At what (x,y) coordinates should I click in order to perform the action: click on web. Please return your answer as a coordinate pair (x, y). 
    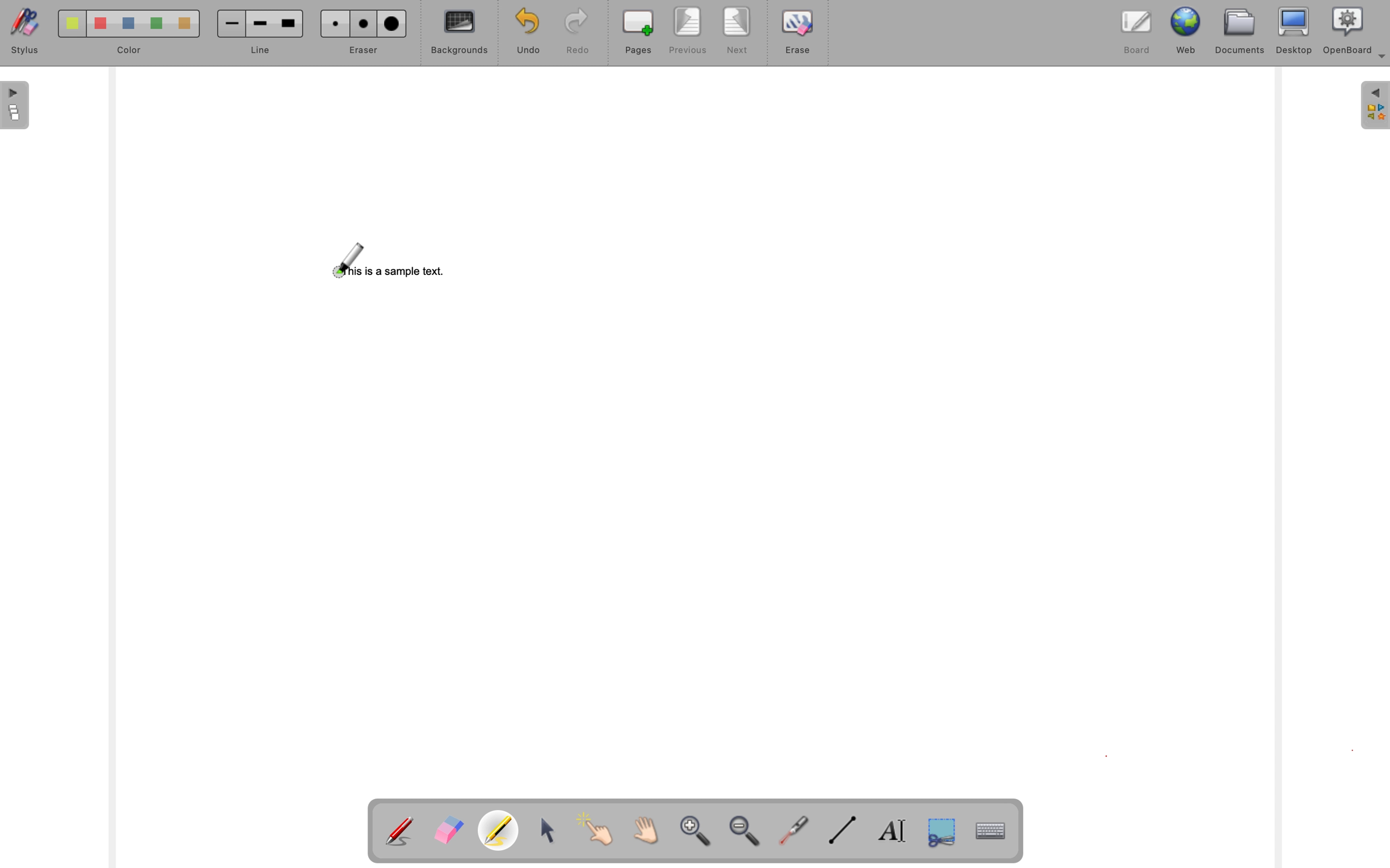
    Looking at the image, I should click on (1187, 32).